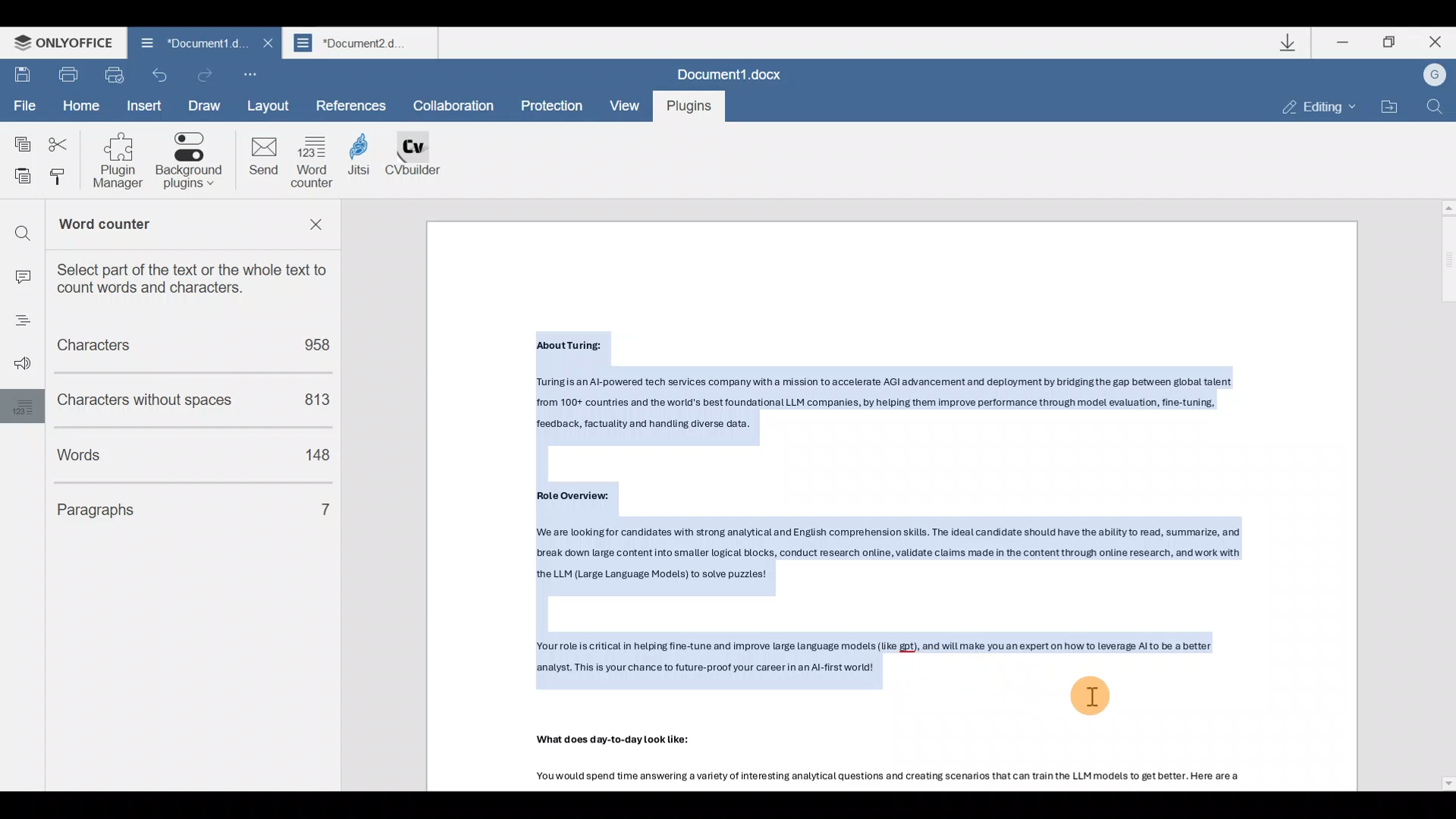  What do you see at coordinates (1391, 47) in the screenshot?
I see `Maximize` at bounding box center [1391, 47].